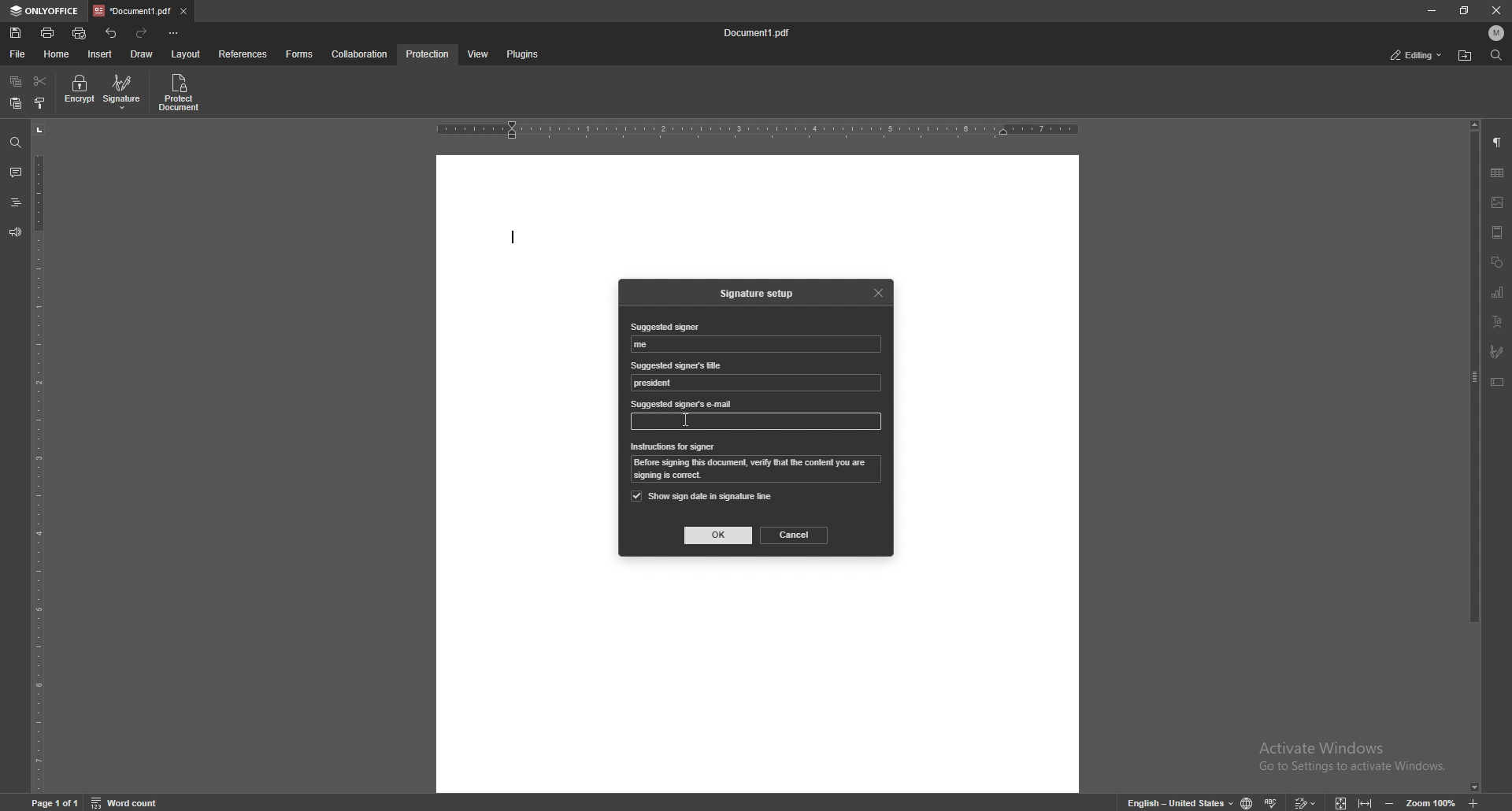 Image resolution: width=1512 pixels, height=811 pixels. Describe the element at coordinates (1340, 751) in the screenshot. I see `Activate windows` at that location.